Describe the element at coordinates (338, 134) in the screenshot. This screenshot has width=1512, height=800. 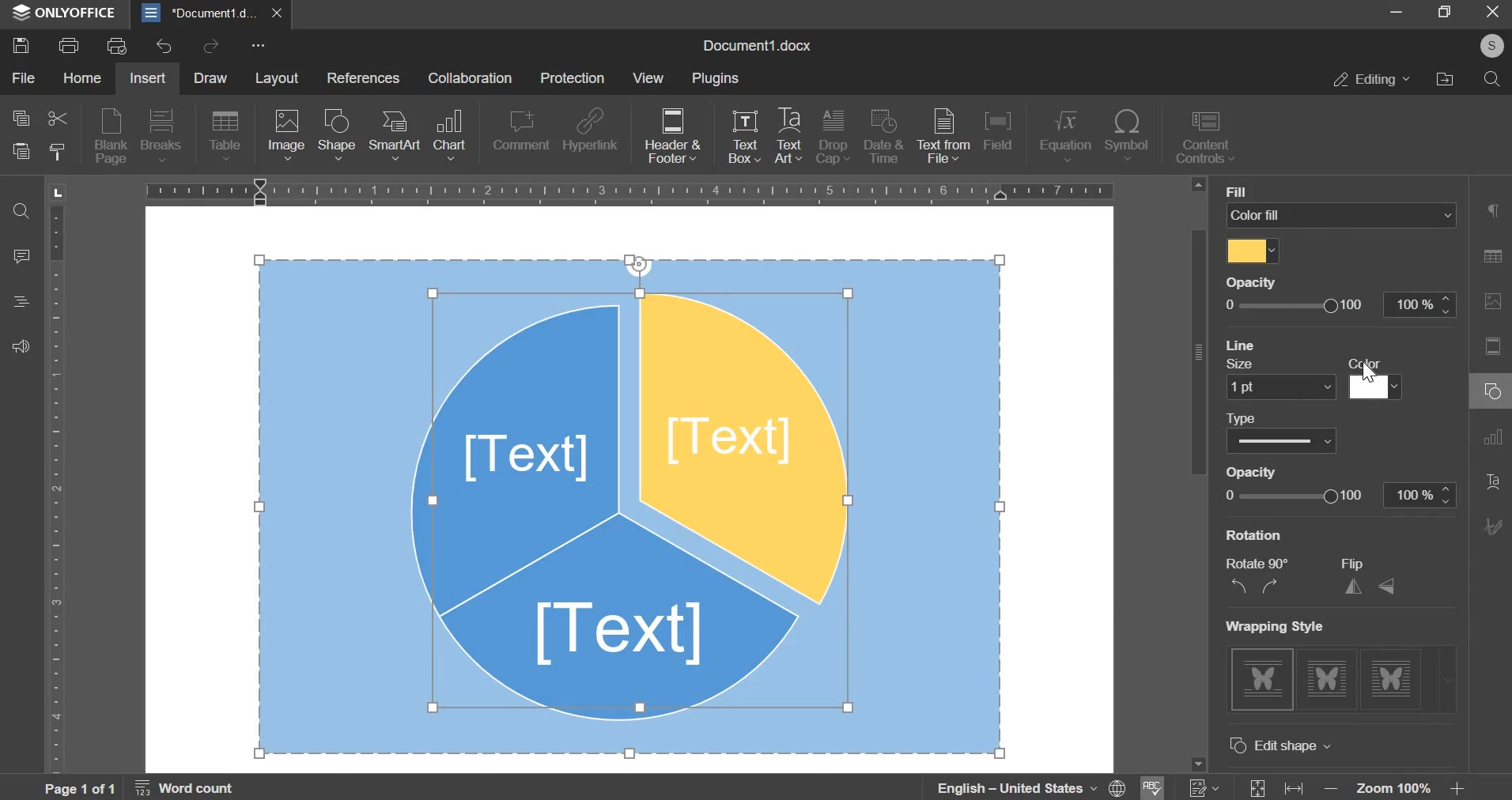
I see `shape` at that location.